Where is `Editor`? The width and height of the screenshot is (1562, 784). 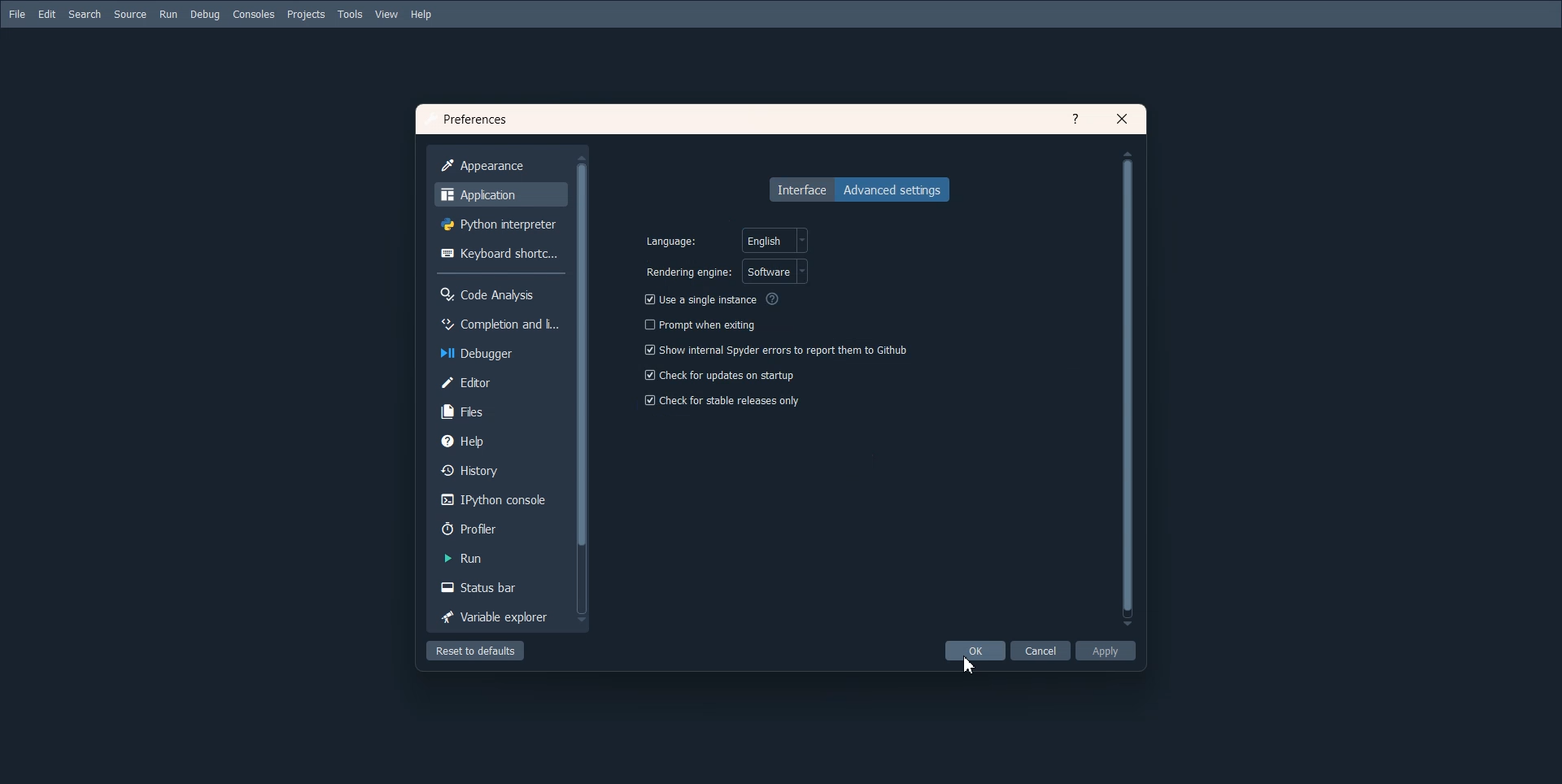 Editor is located at coordinates (500, 381).